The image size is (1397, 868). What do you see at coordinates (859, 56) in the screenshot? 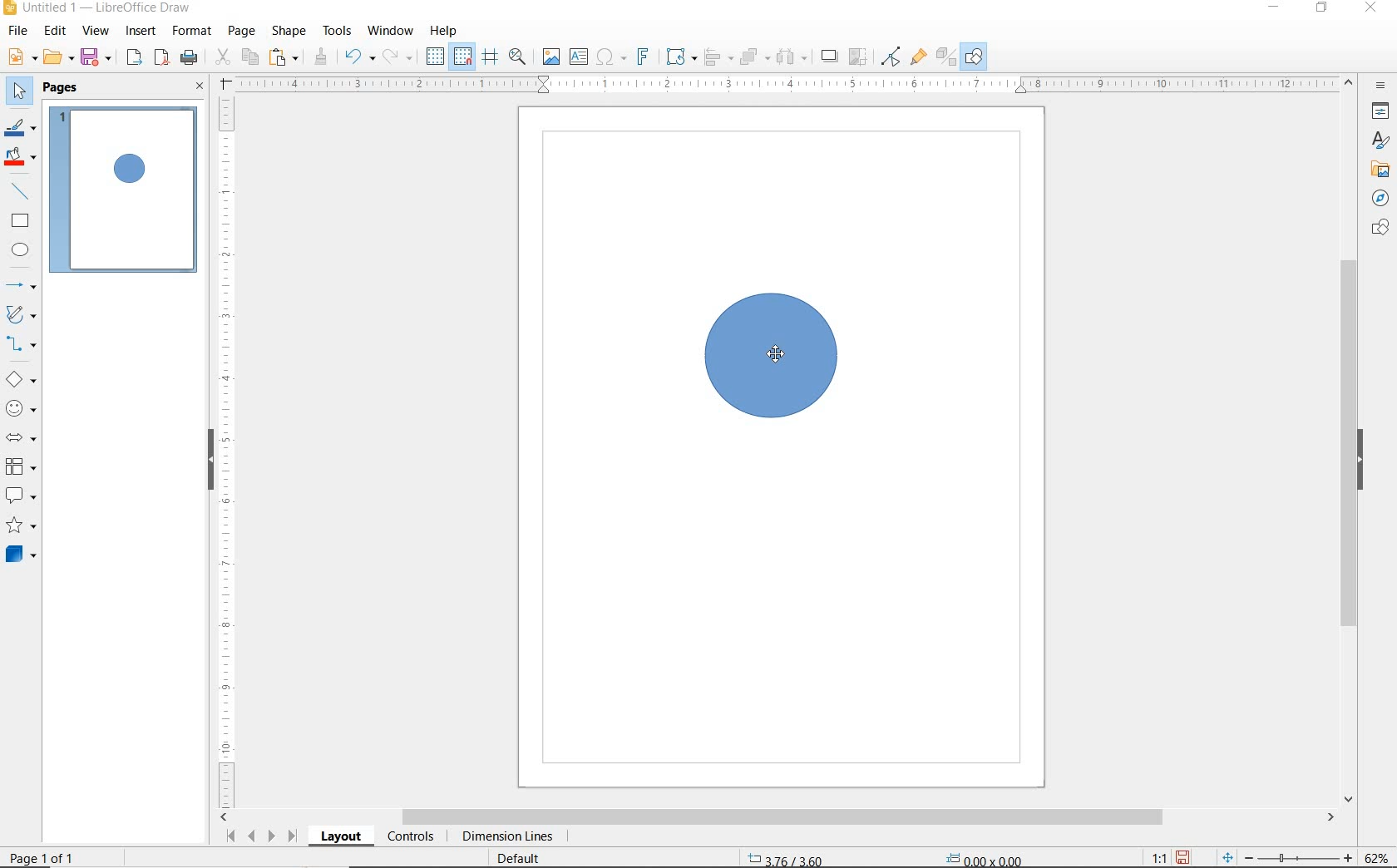
I see `CROP IMAGE` at bounding box center [859, 56].